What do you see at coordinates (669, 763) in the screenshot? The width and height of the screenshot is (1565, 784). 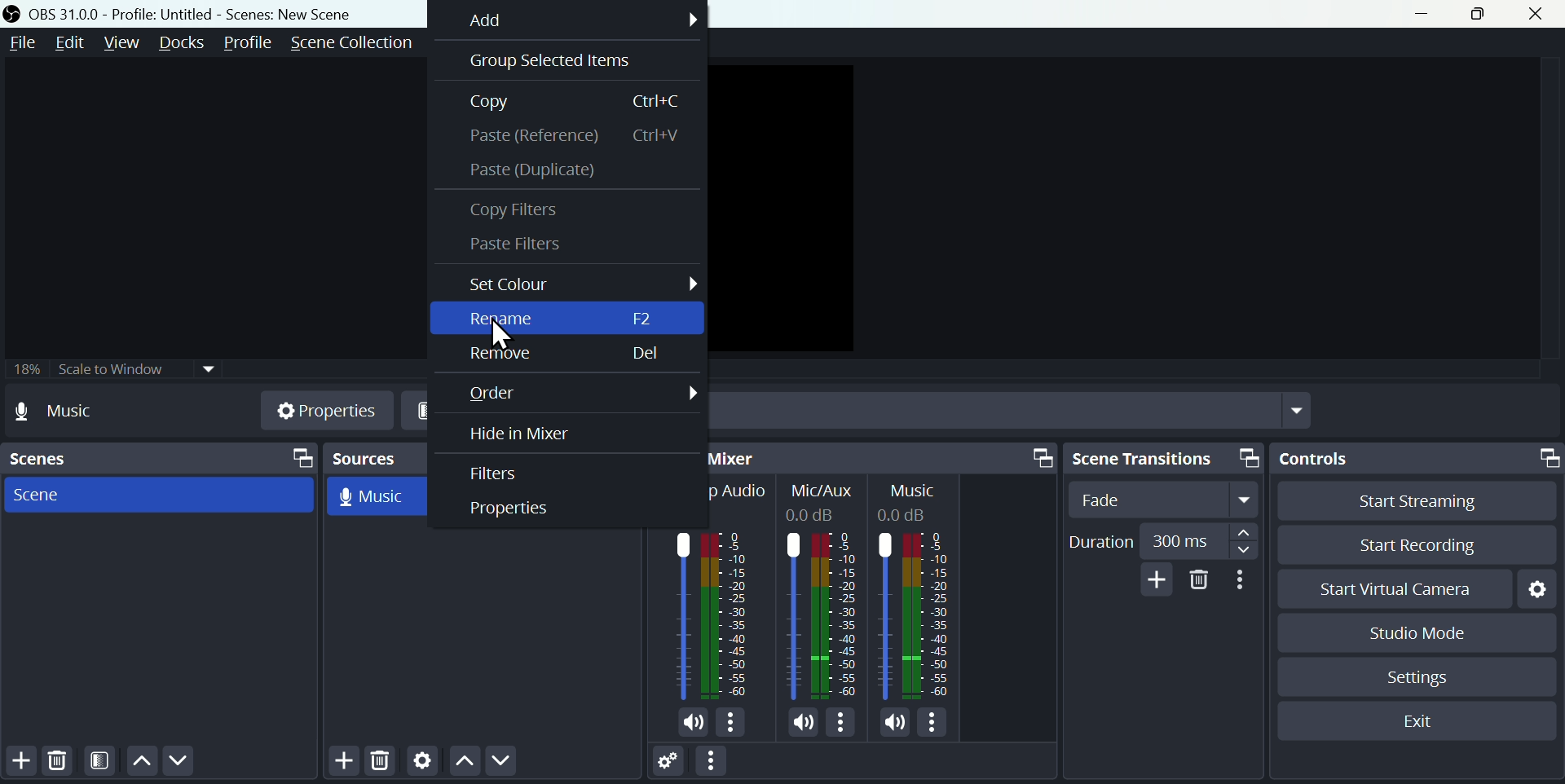 I see `Settings` at bounding box center [669, 763].